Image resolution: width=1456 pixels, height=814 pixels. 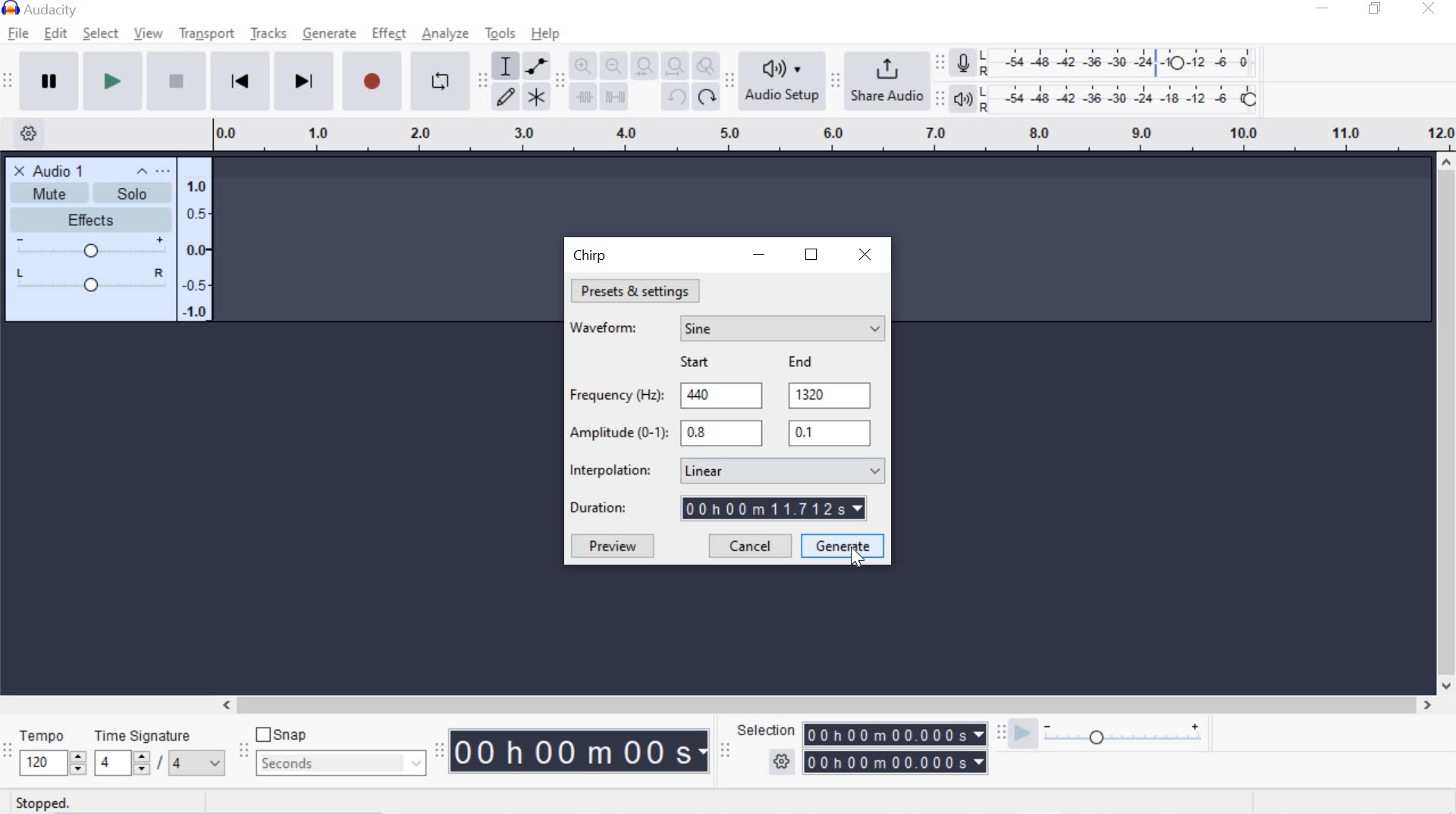 What do you see at coordinates (799, 362) in the screenshot?
I see `end` at bounding box center [799, 362].